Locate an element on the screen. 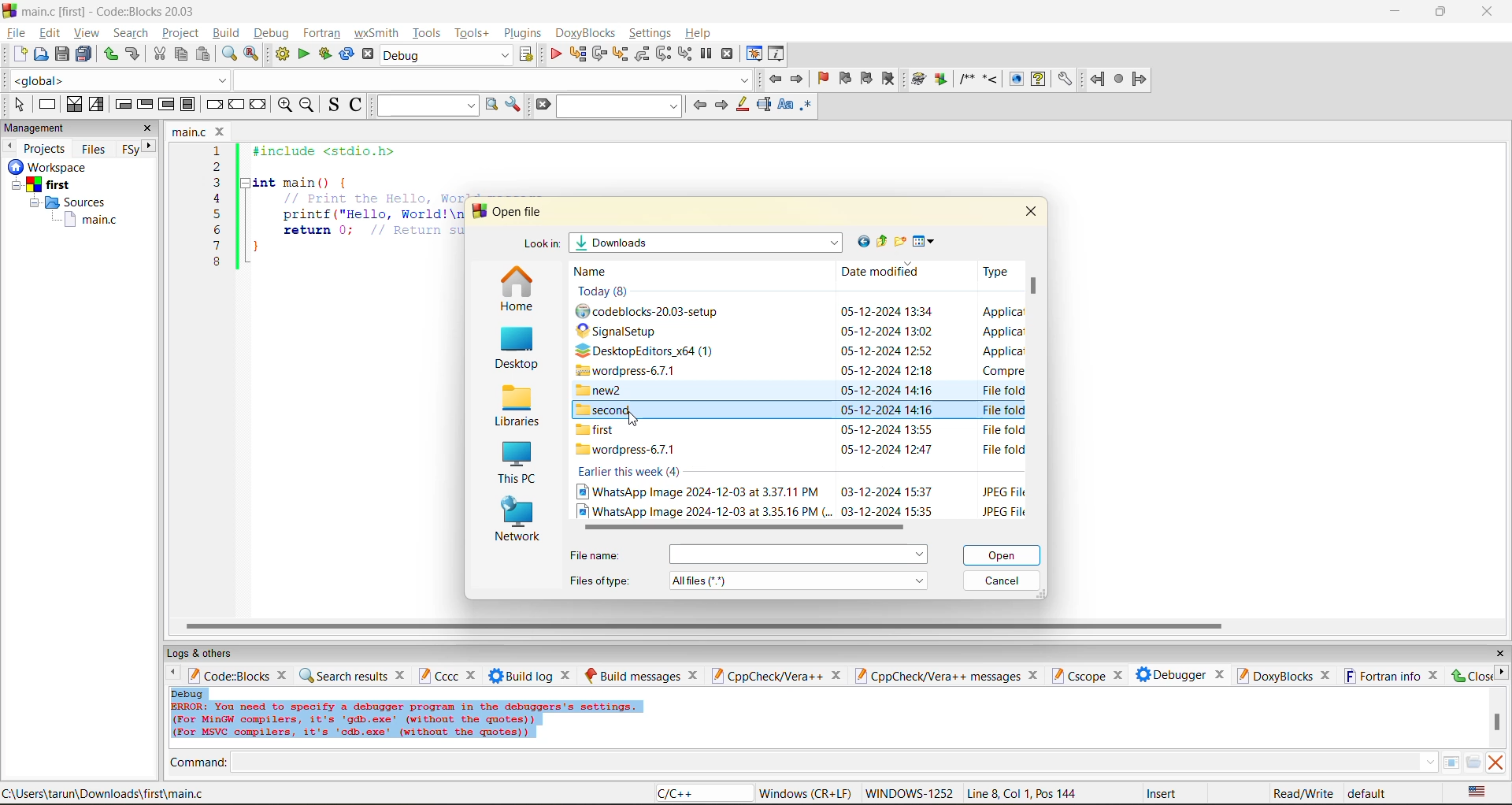 The image size is (1512, 805). decision is located at coordinates (73, 104).